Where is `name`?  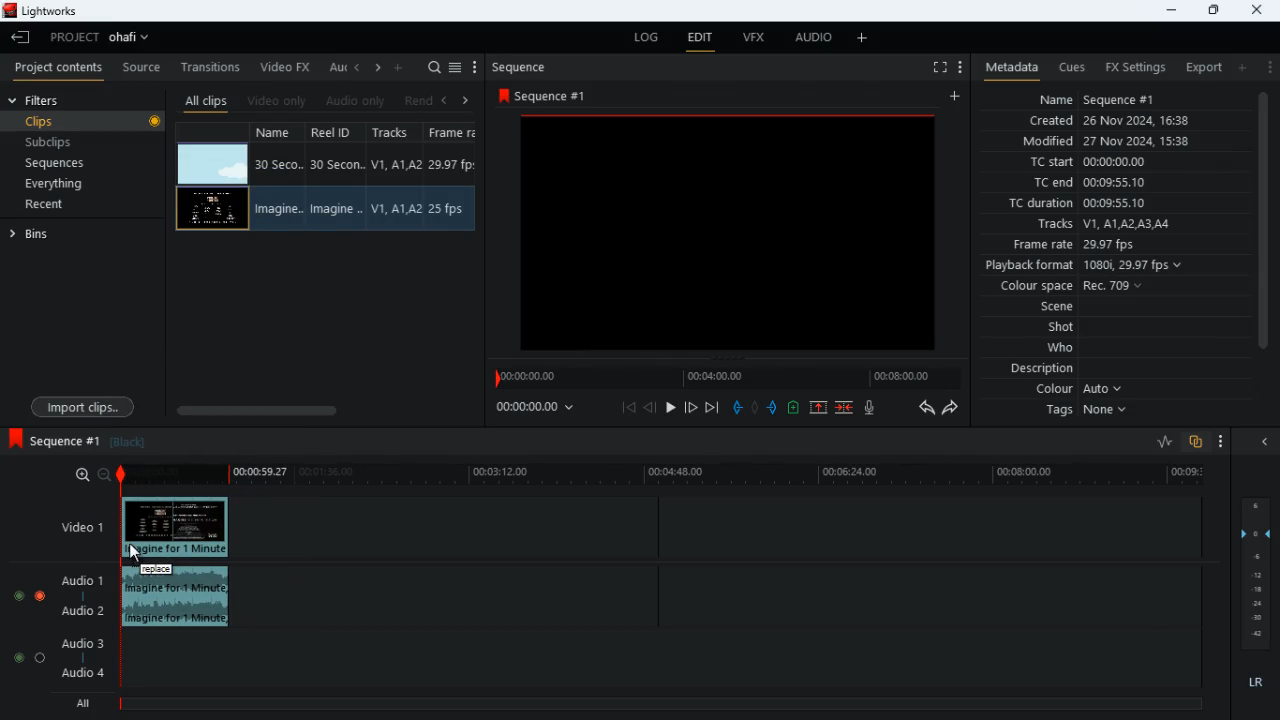
name is located at coordinates (1097, 99).